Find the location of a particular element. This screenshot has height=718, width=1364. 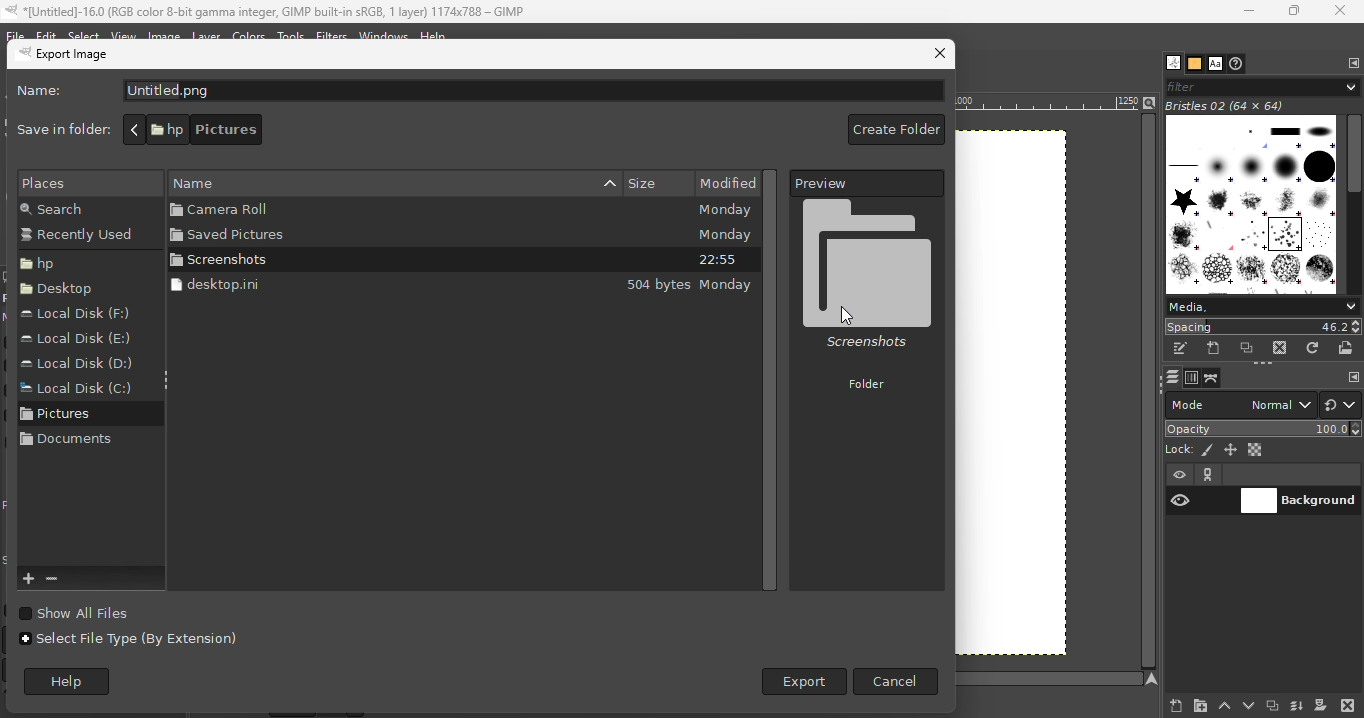

Local dsk (E:) is located at coordinates (76, 340).